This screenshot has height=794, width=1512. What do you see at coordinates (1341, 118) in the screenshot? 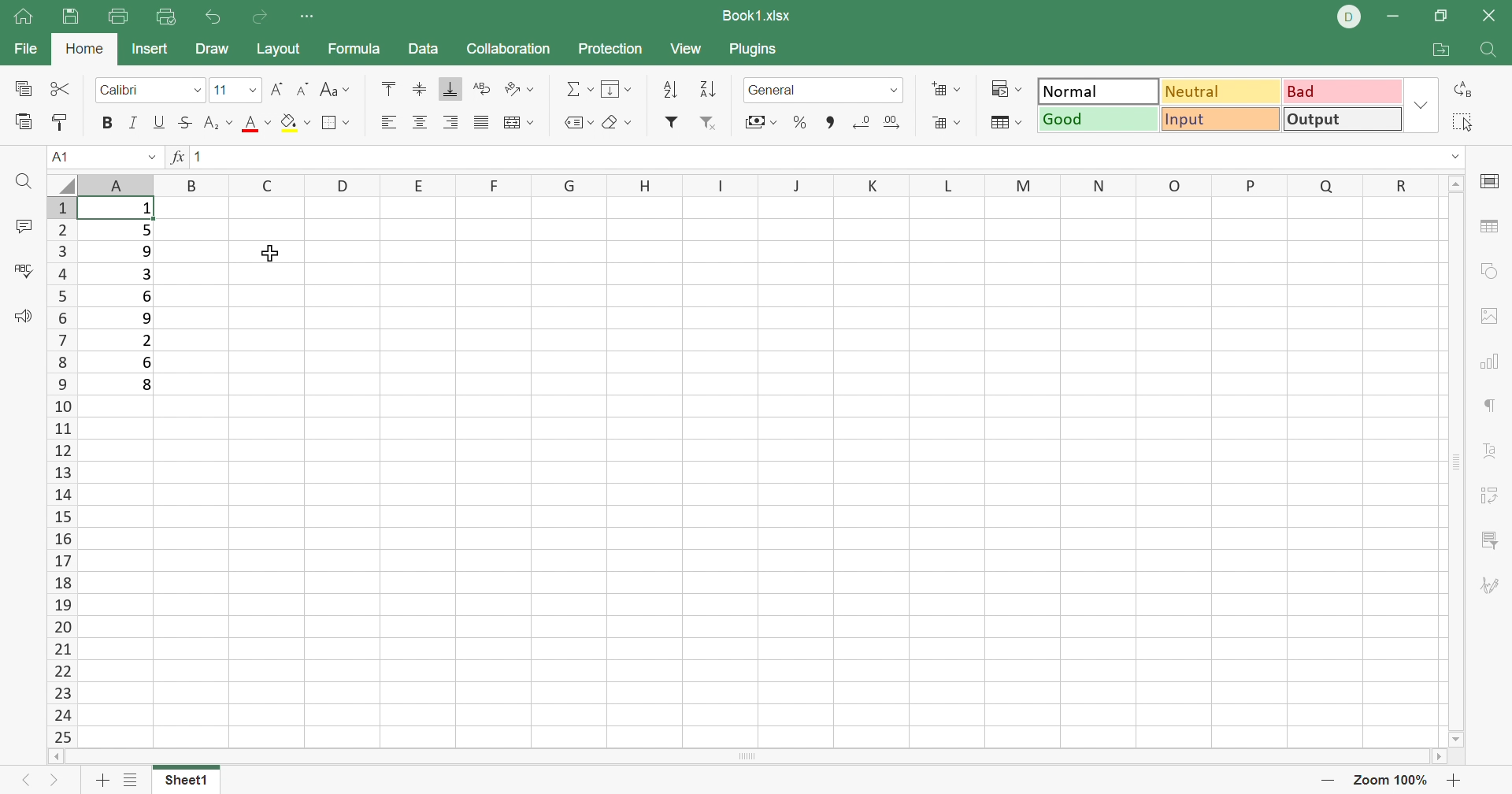
I see `Output` at bounding box center [1341, 118].